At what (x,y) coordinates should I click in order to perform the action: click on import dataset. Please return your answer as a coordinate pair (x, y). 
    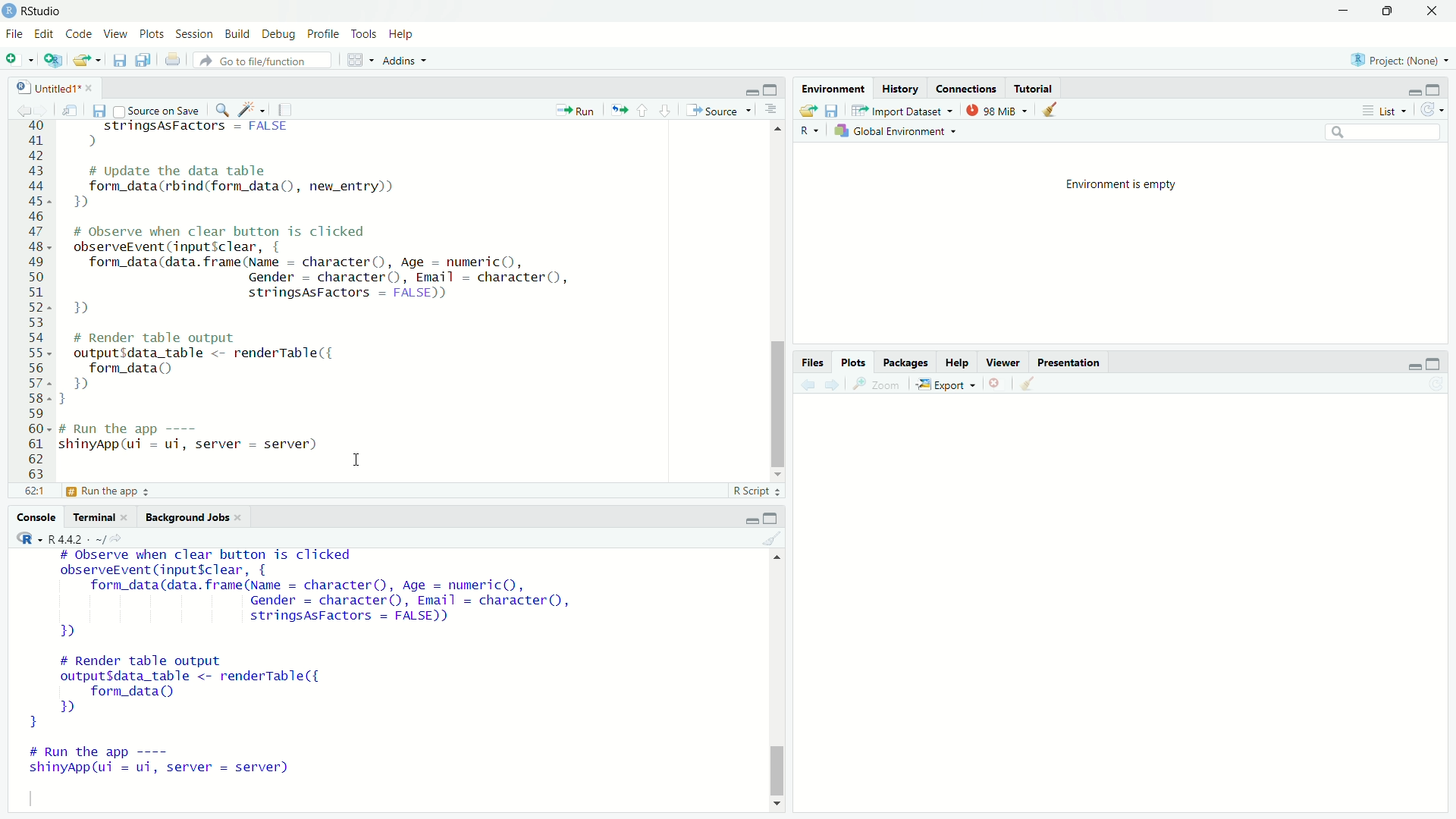
    Looking at the image, I should click on (901, 111).